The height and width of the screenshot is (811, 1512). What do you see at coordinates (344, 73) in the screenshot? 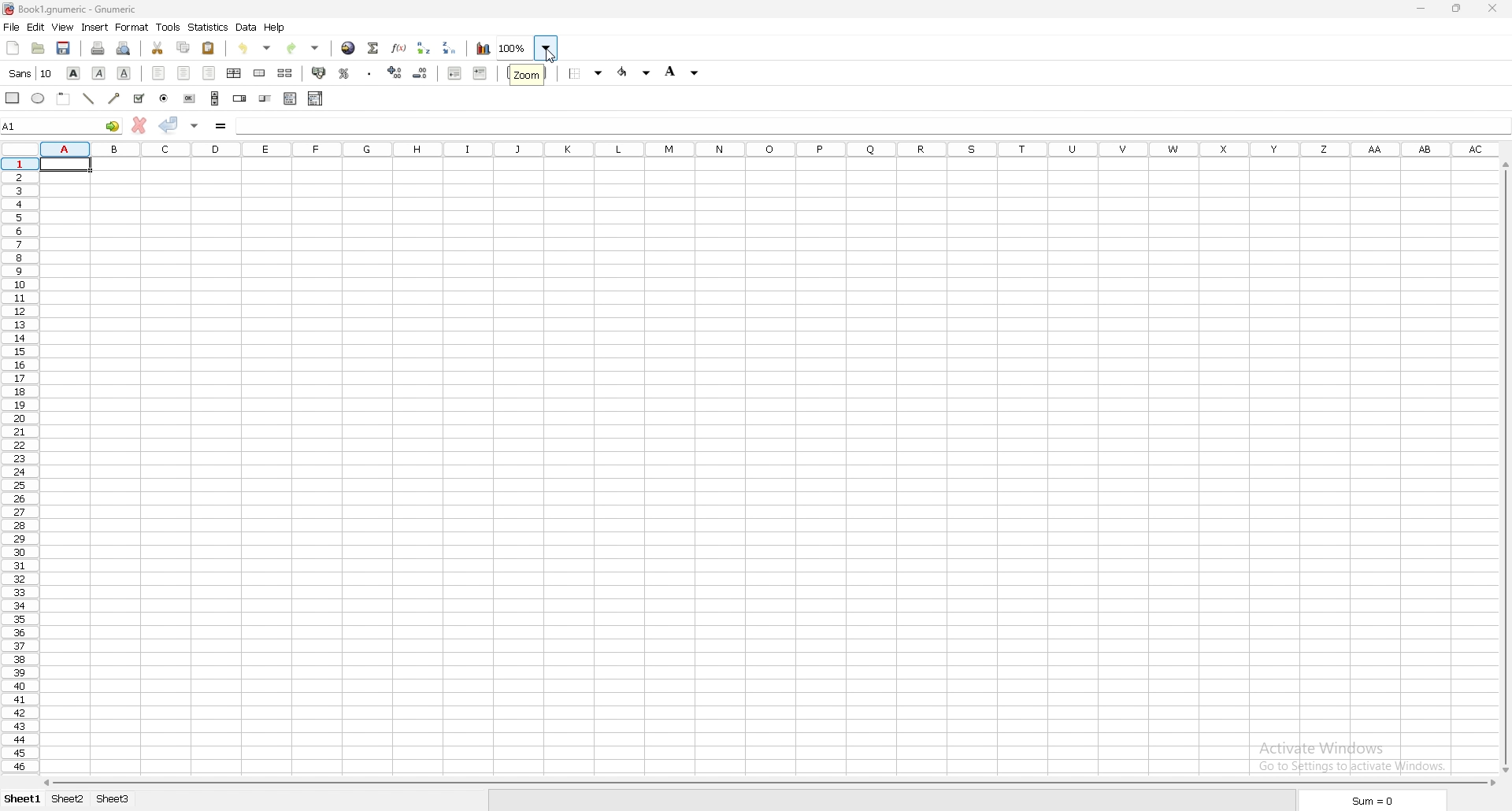
I see `percentage` at bounding box center [344, 73].